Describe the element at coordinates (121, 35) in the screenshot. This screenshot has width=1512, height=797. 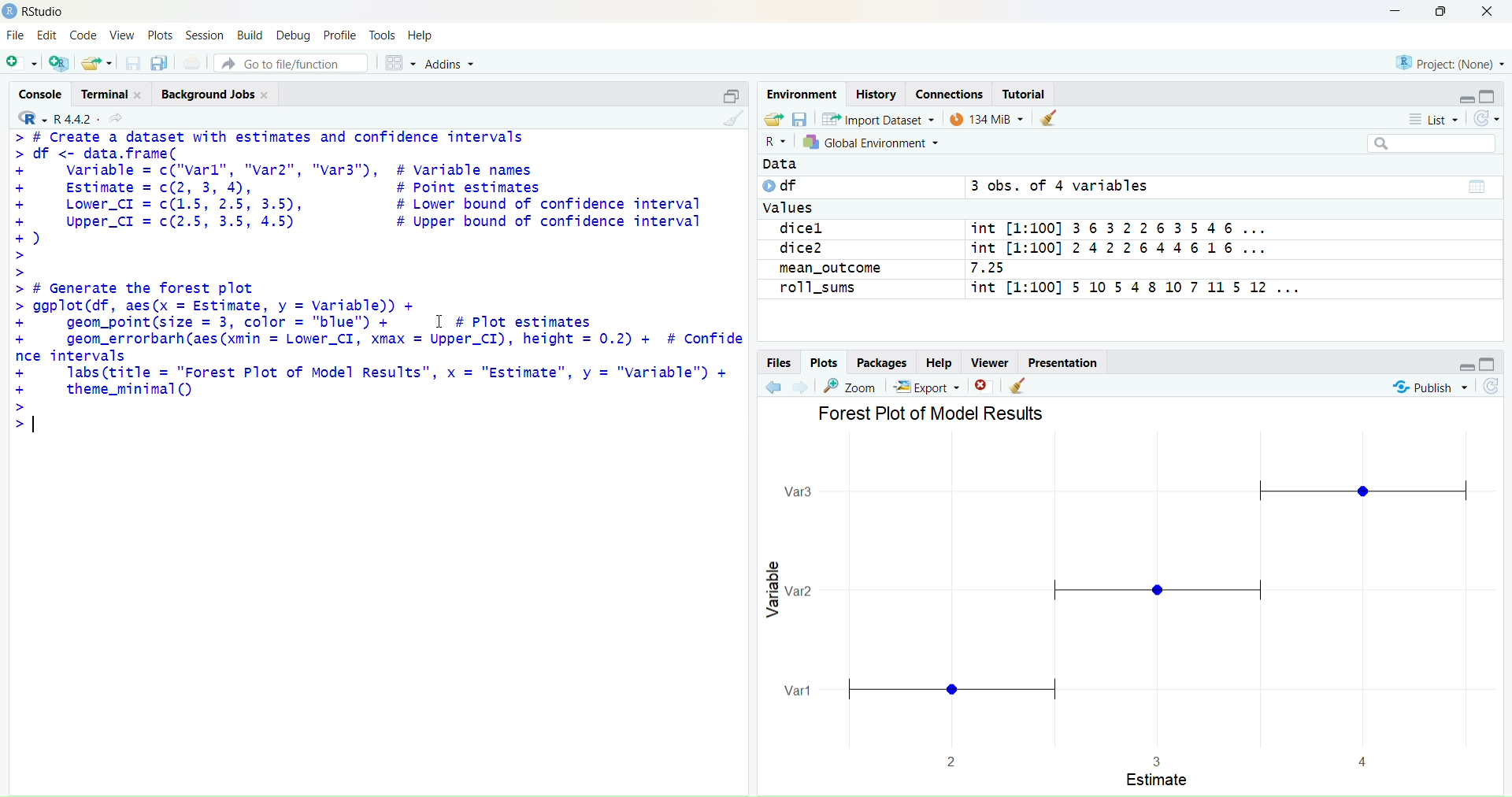
I see `View` at that location.